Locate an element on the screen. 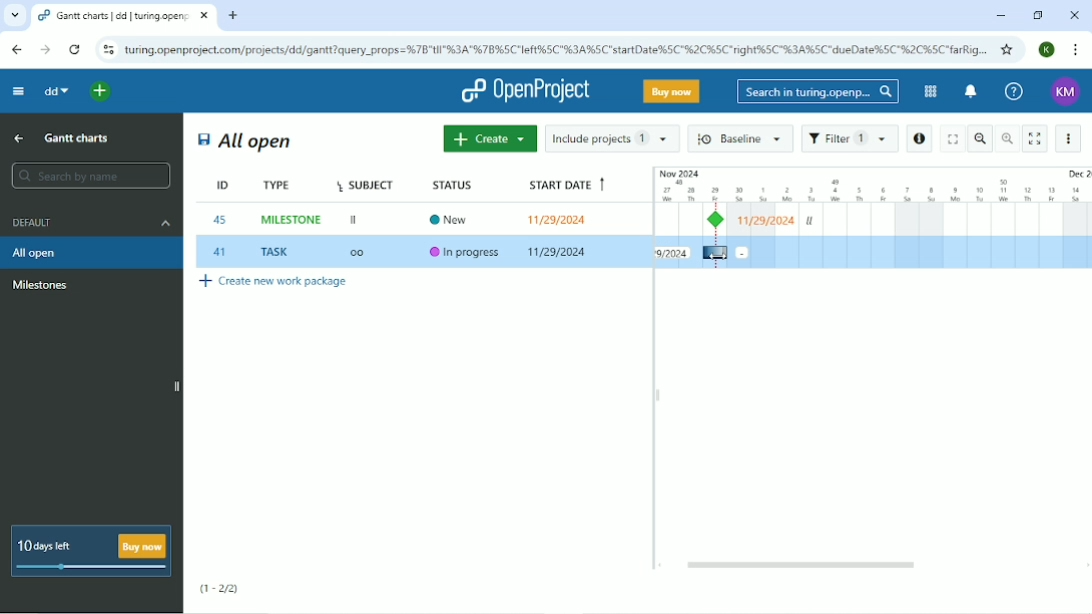 The height and width of the screenshot is (614, 1092). Help is located at coordinates (1012, 90).